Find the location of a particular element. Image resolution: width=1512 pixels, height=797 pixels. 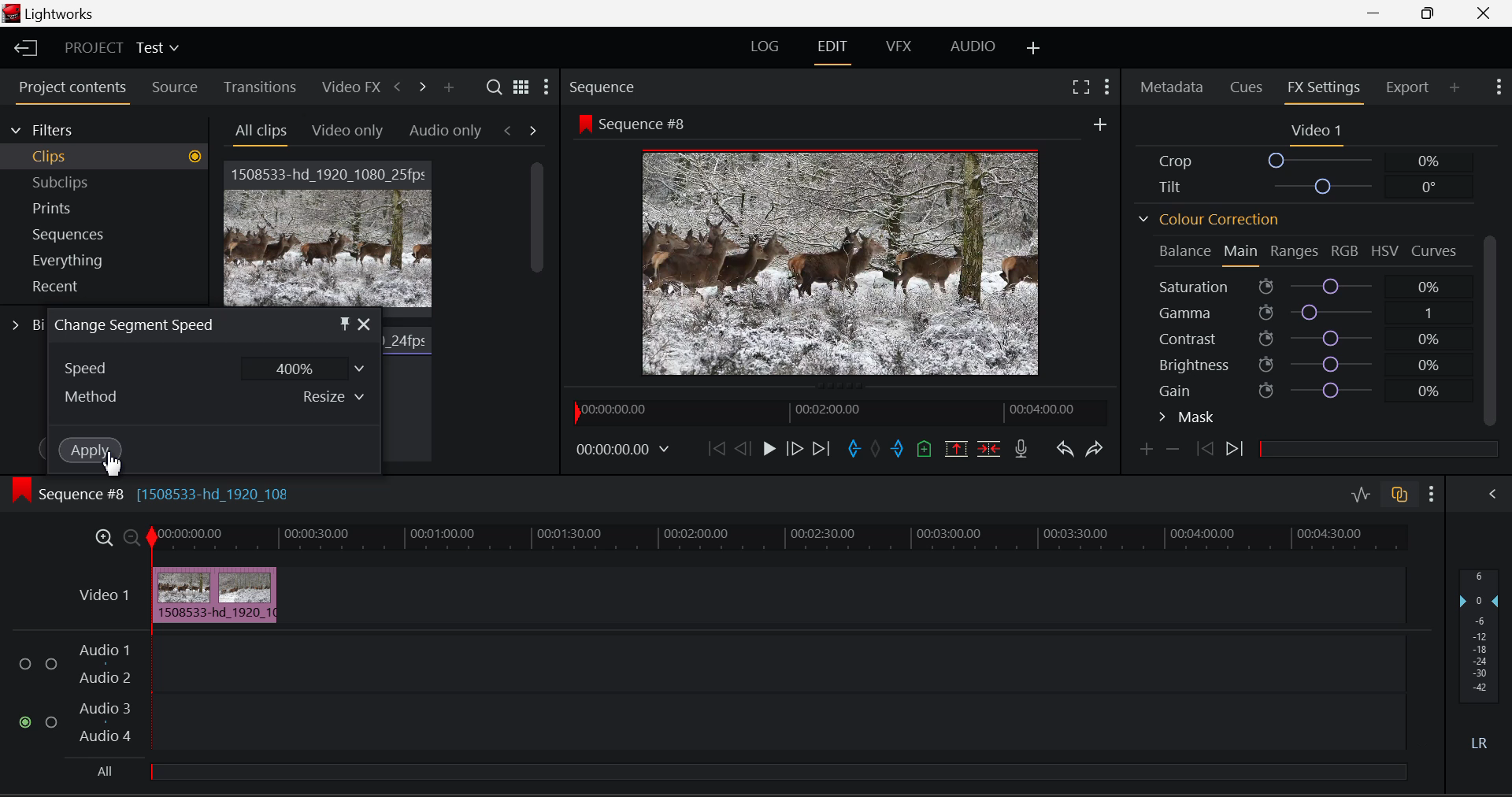

Everything is located at coordinates (113, 260).